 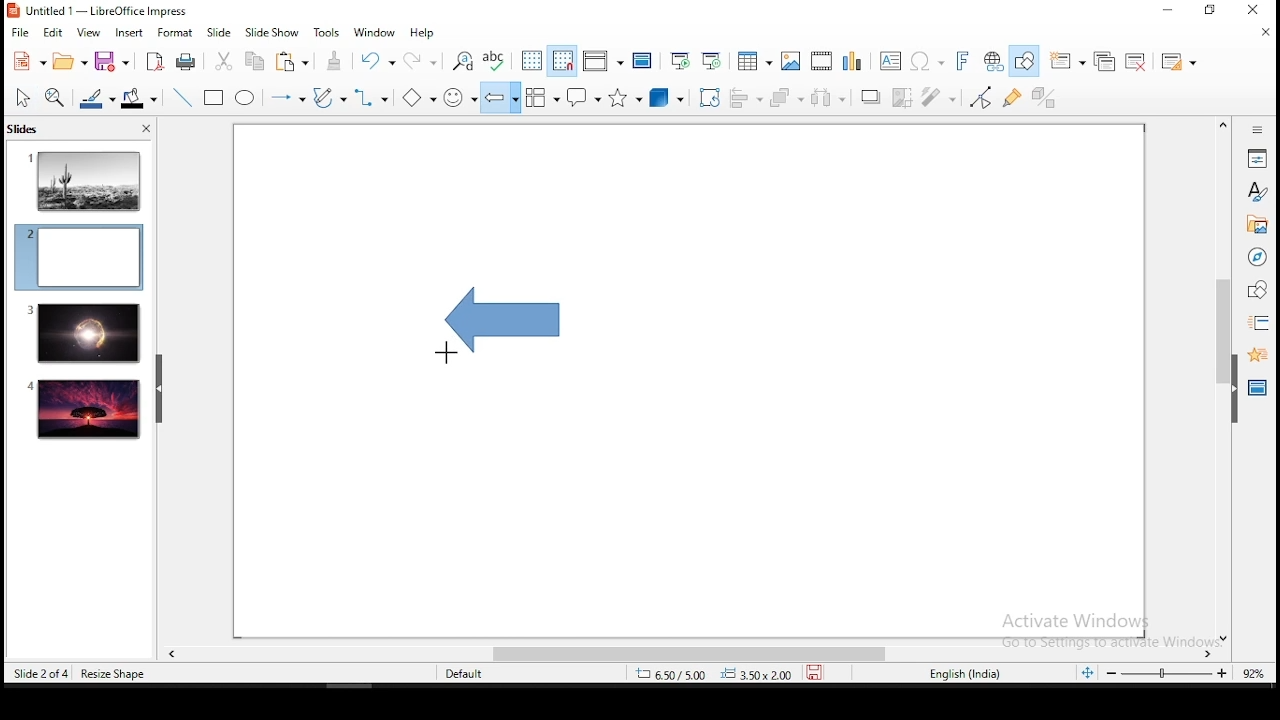 What do you see at coordinates (82, 333) in the screenshot?
I see `slide` at bounding box center [82, 333].